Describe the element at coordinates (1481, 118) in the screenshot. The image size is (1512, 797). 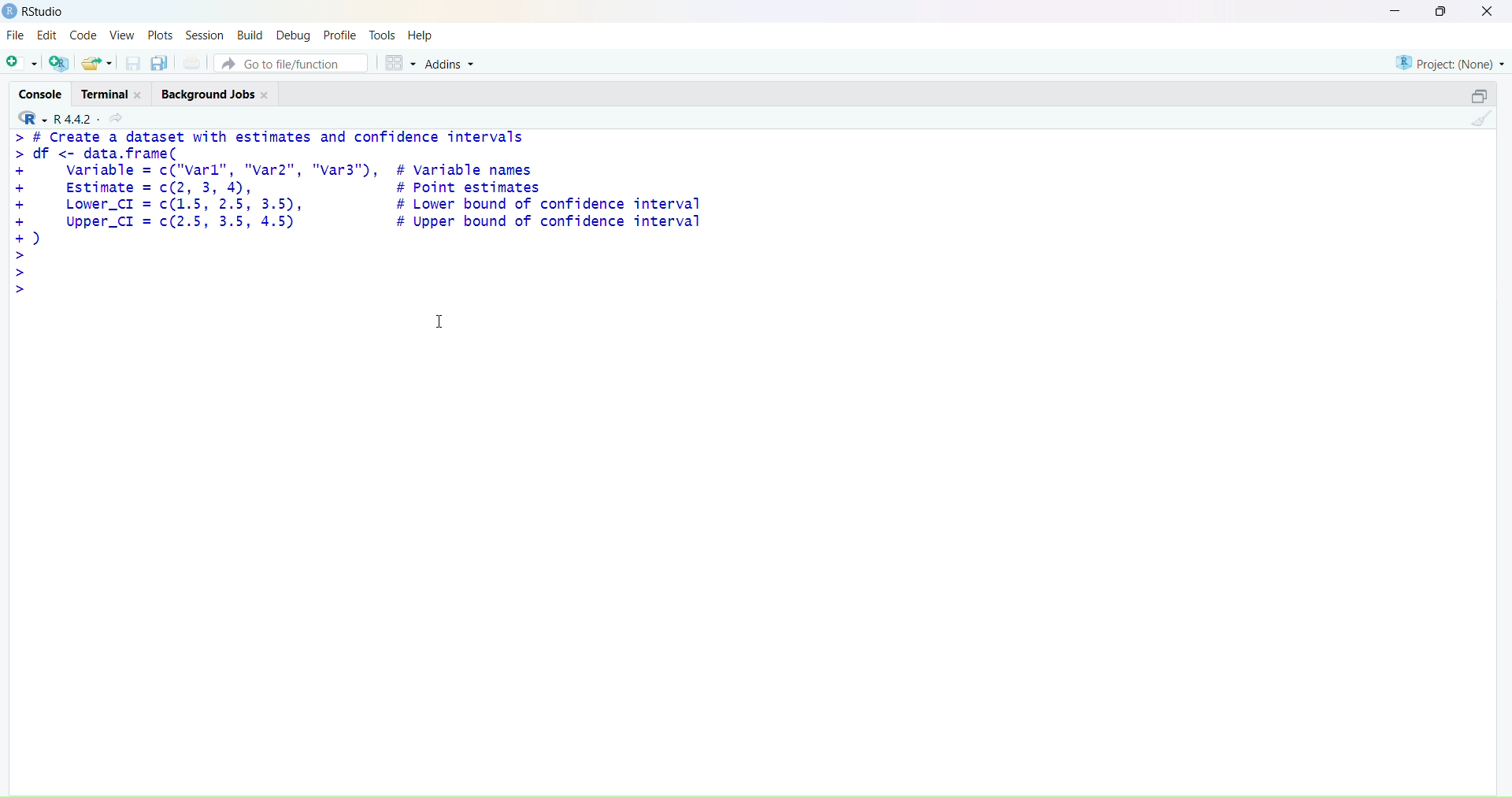
I see `clear console` at that location.